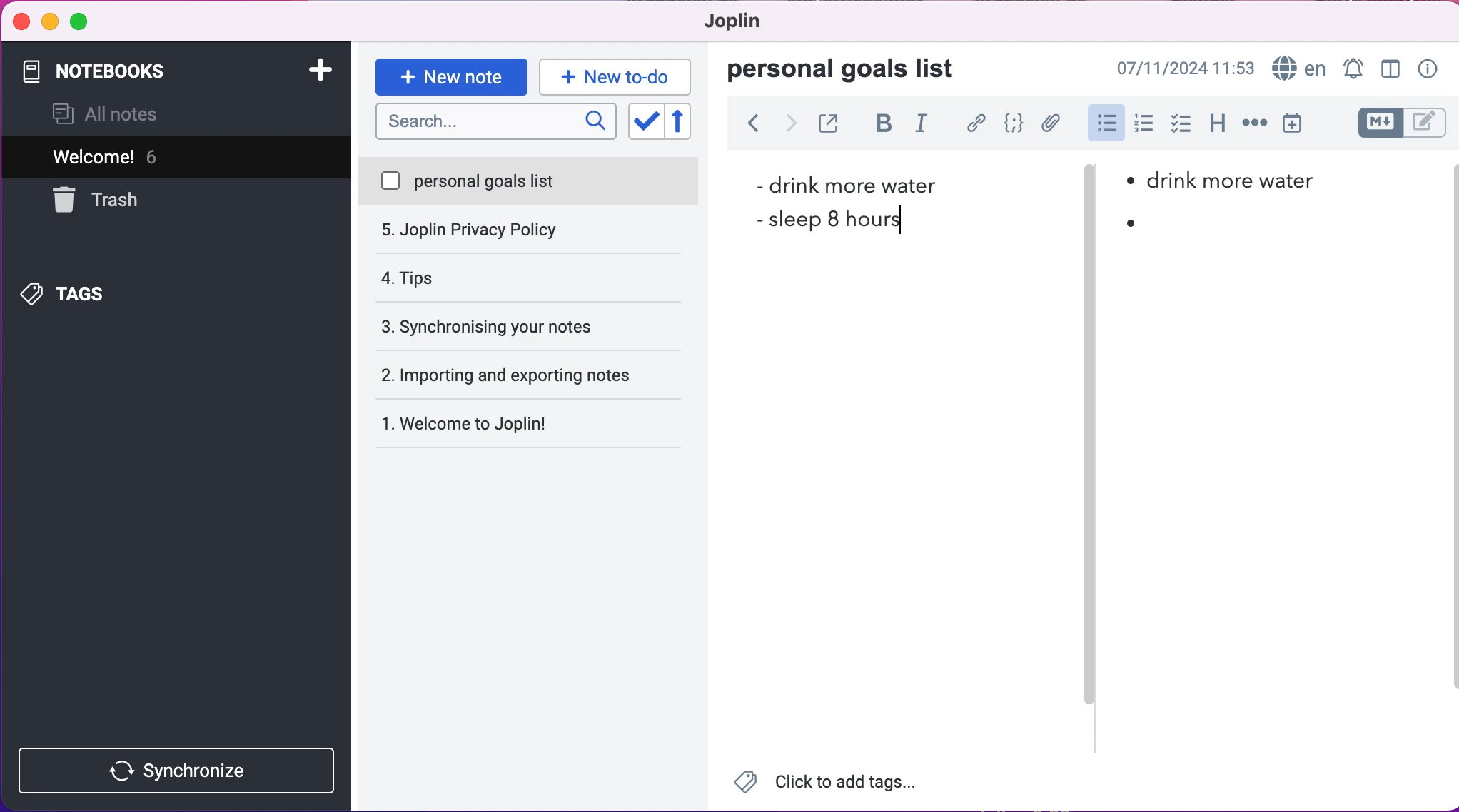  I want to click on attach file, so click(1049, 123).